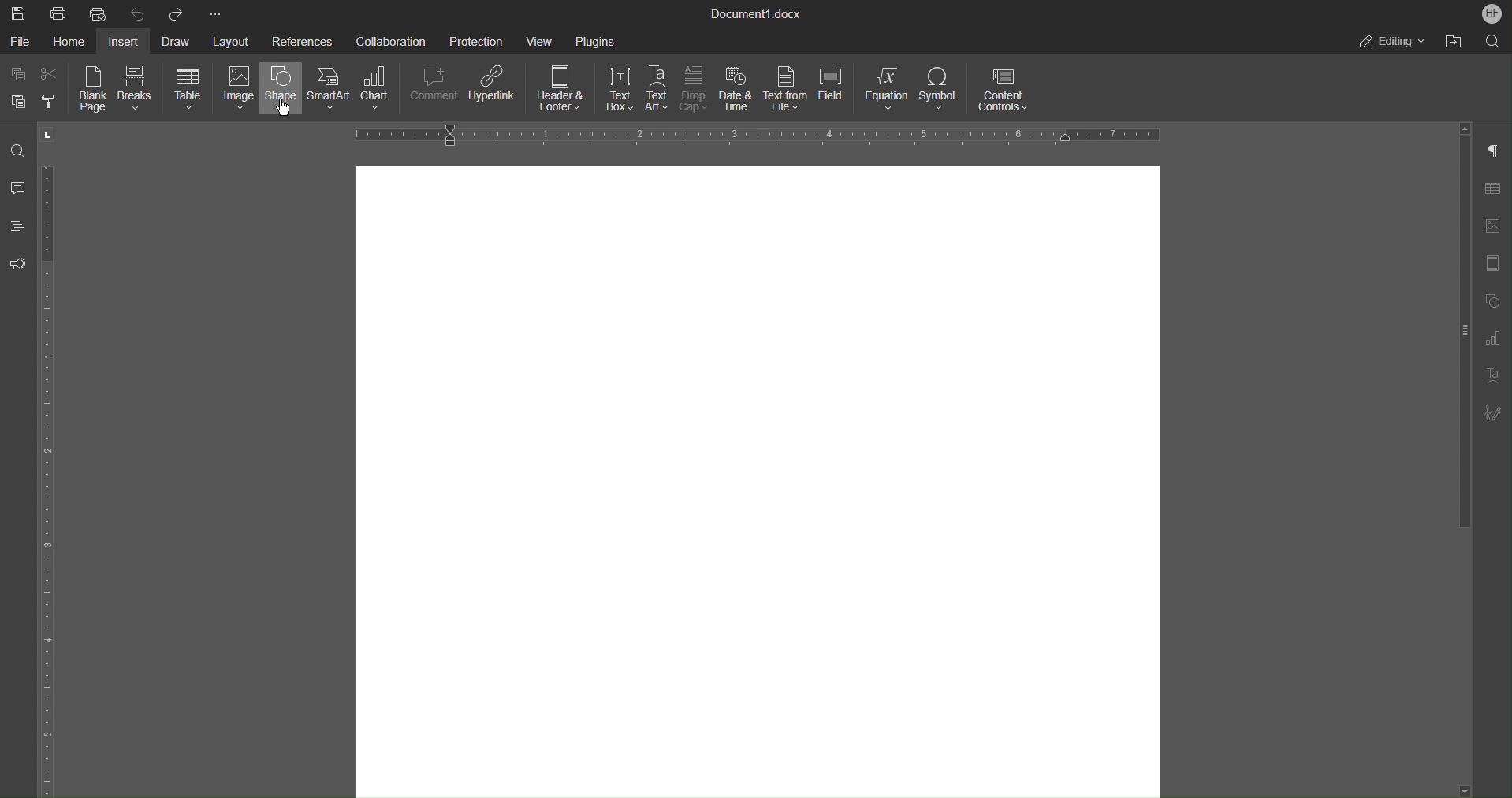  I want to click on Protection, so click(478, 40).